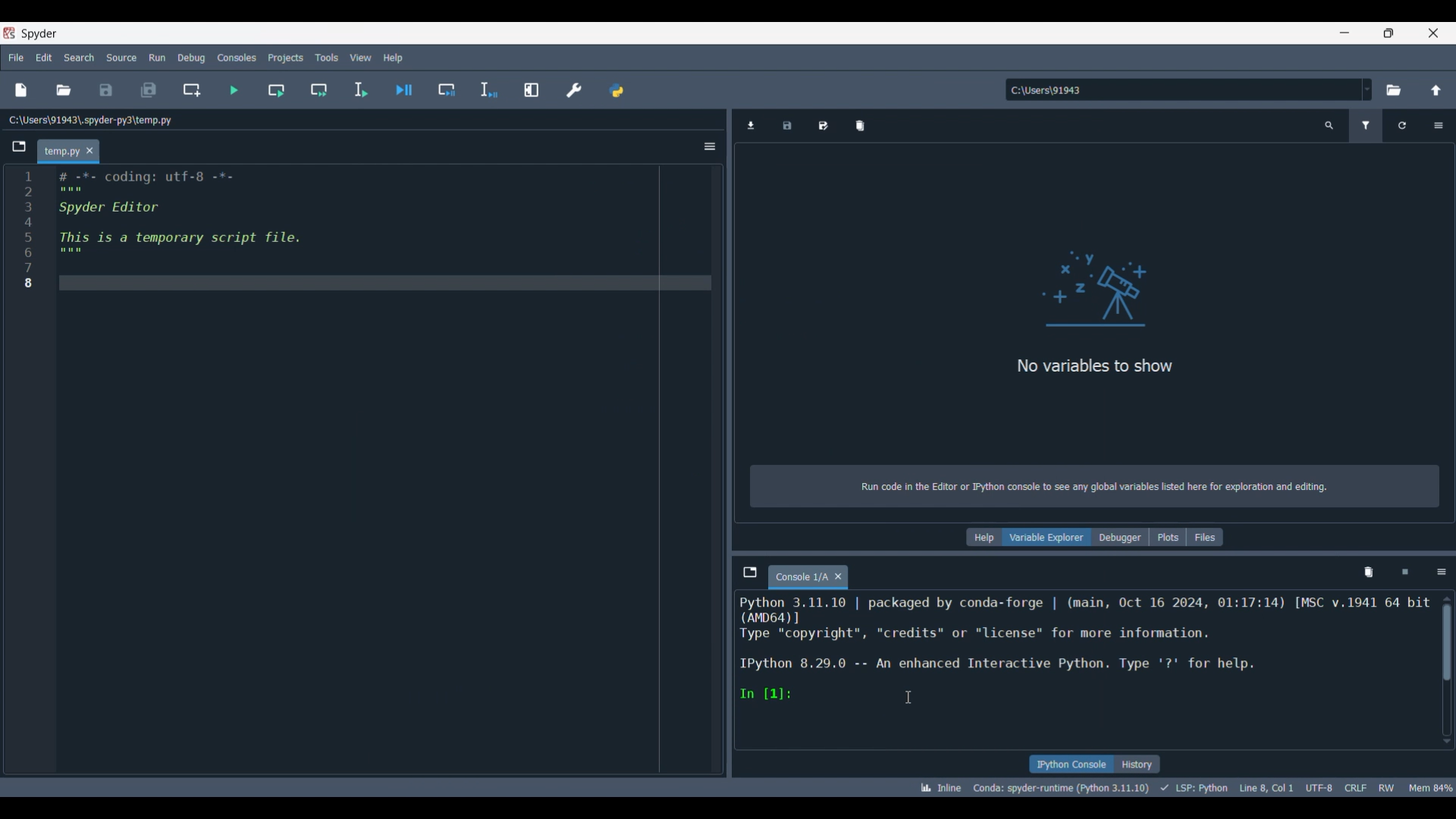 The width and height of the screenshot is (1456, 819). Describe the element at coordinates (319, 90) in the screenshot. I see `Run current cell and go to next` at that location.